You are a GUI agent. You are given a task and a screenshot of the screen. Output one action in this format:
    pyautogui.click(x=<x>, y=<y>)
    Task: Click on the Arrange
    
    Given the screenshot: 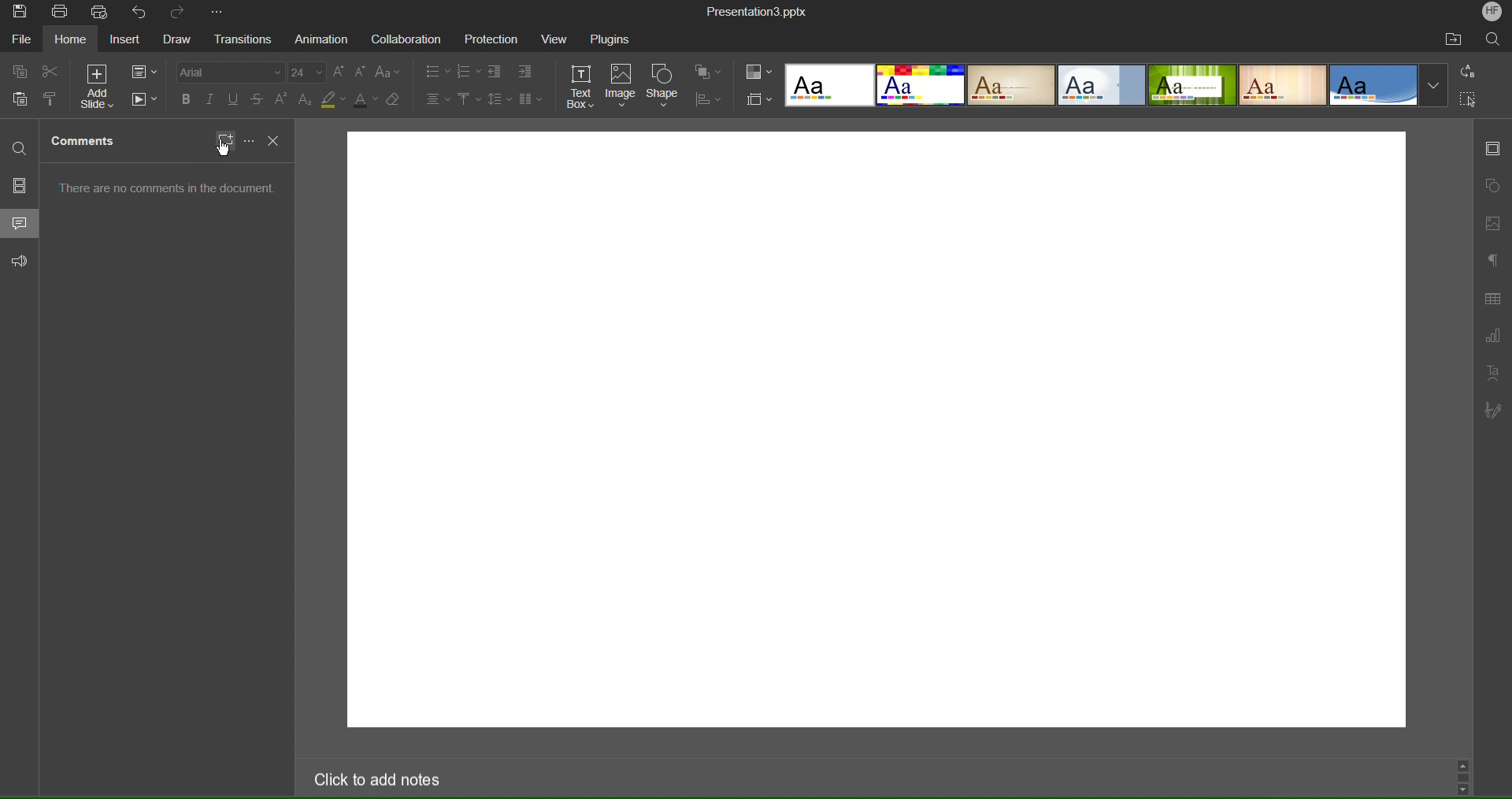 What is the action you would take?
    pyautogui.click(x=708, y=73)
    